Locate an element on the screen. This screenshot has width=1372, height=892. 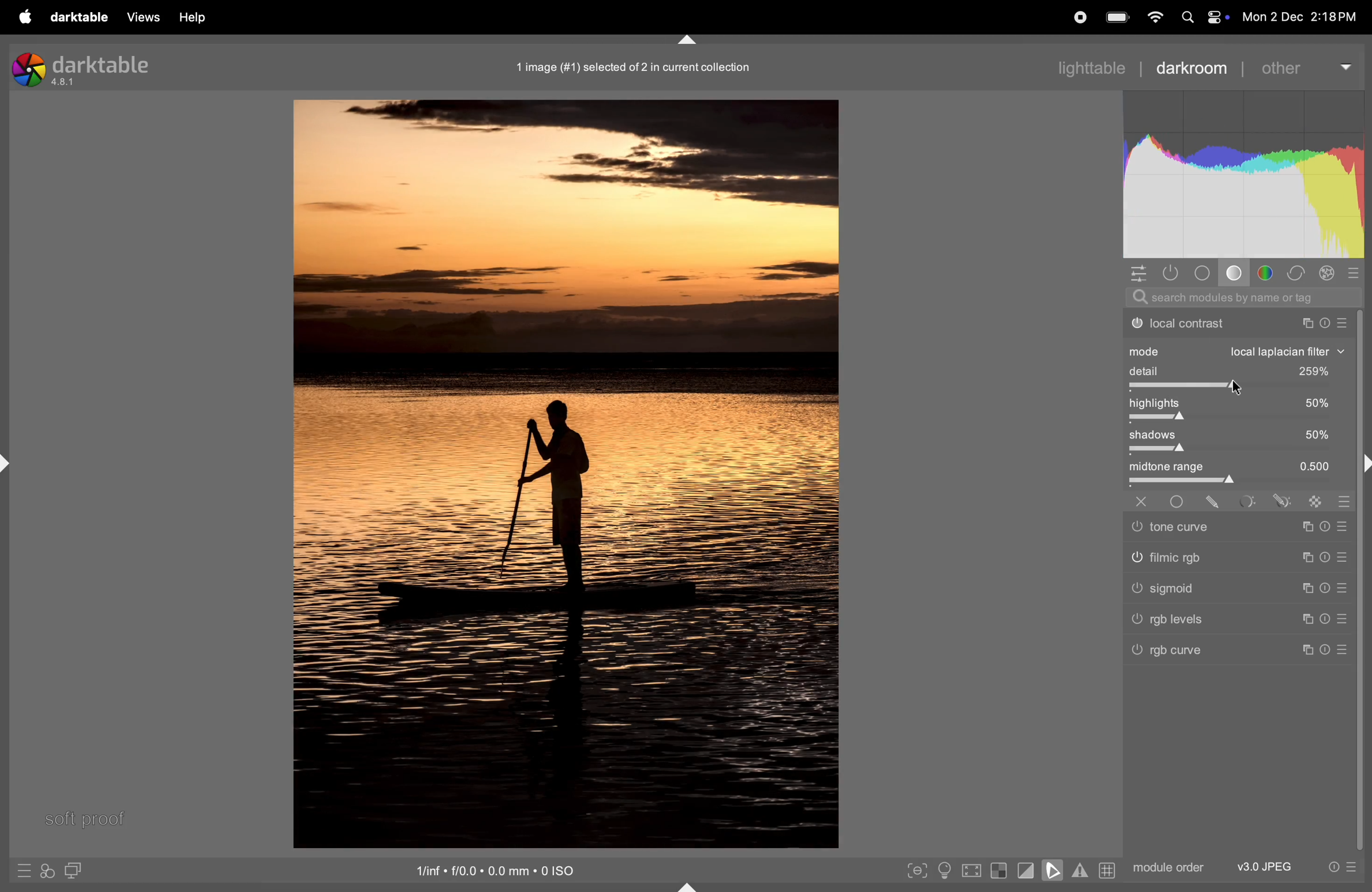
quick access for applying styles is located at coordinates (47, 871).